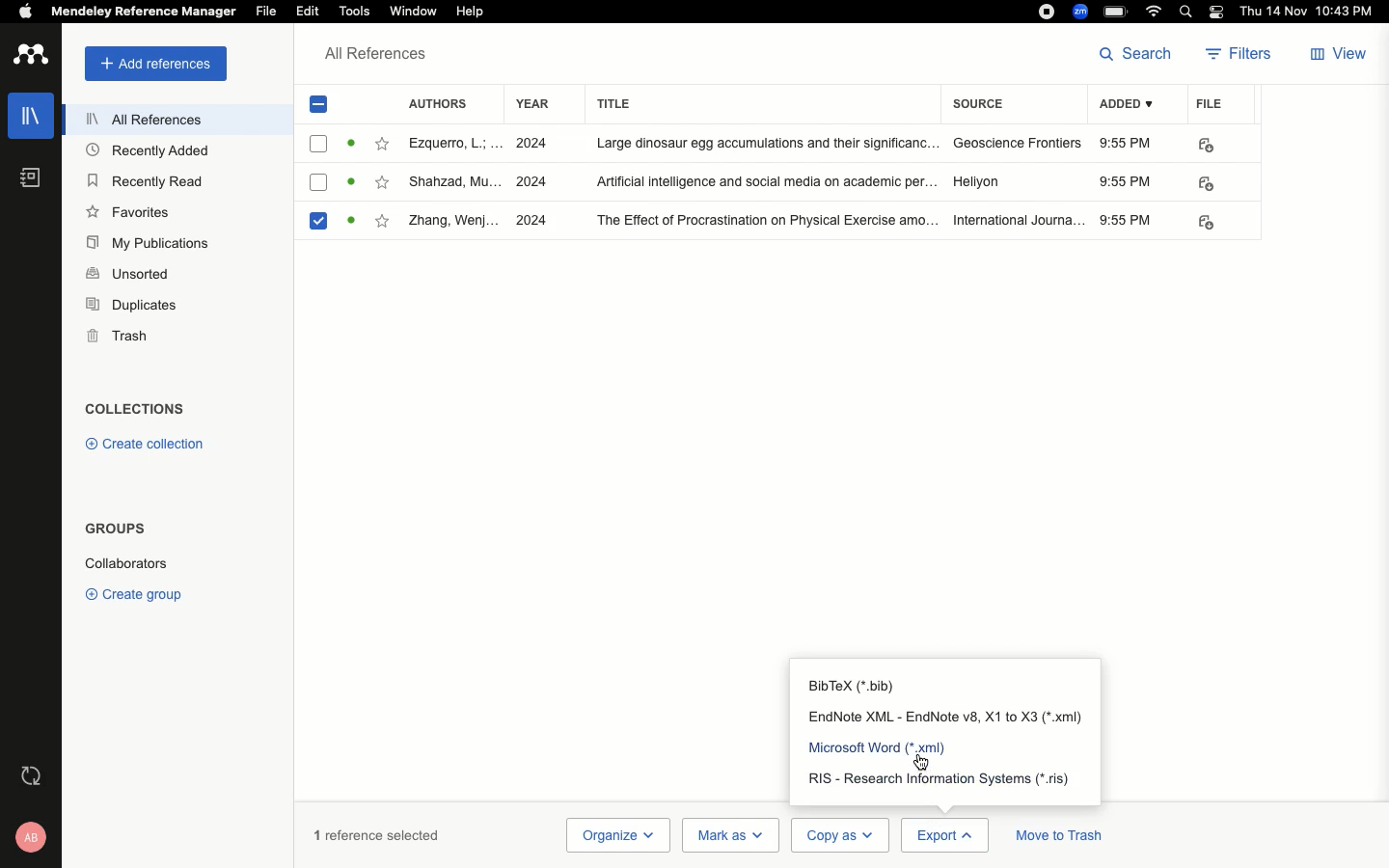 Image resolution: width=1389 pixels, height=868 pixels. Describe the element at coordinates (1127, 143) in the screenshot. I see `9:55 PM` at that location.